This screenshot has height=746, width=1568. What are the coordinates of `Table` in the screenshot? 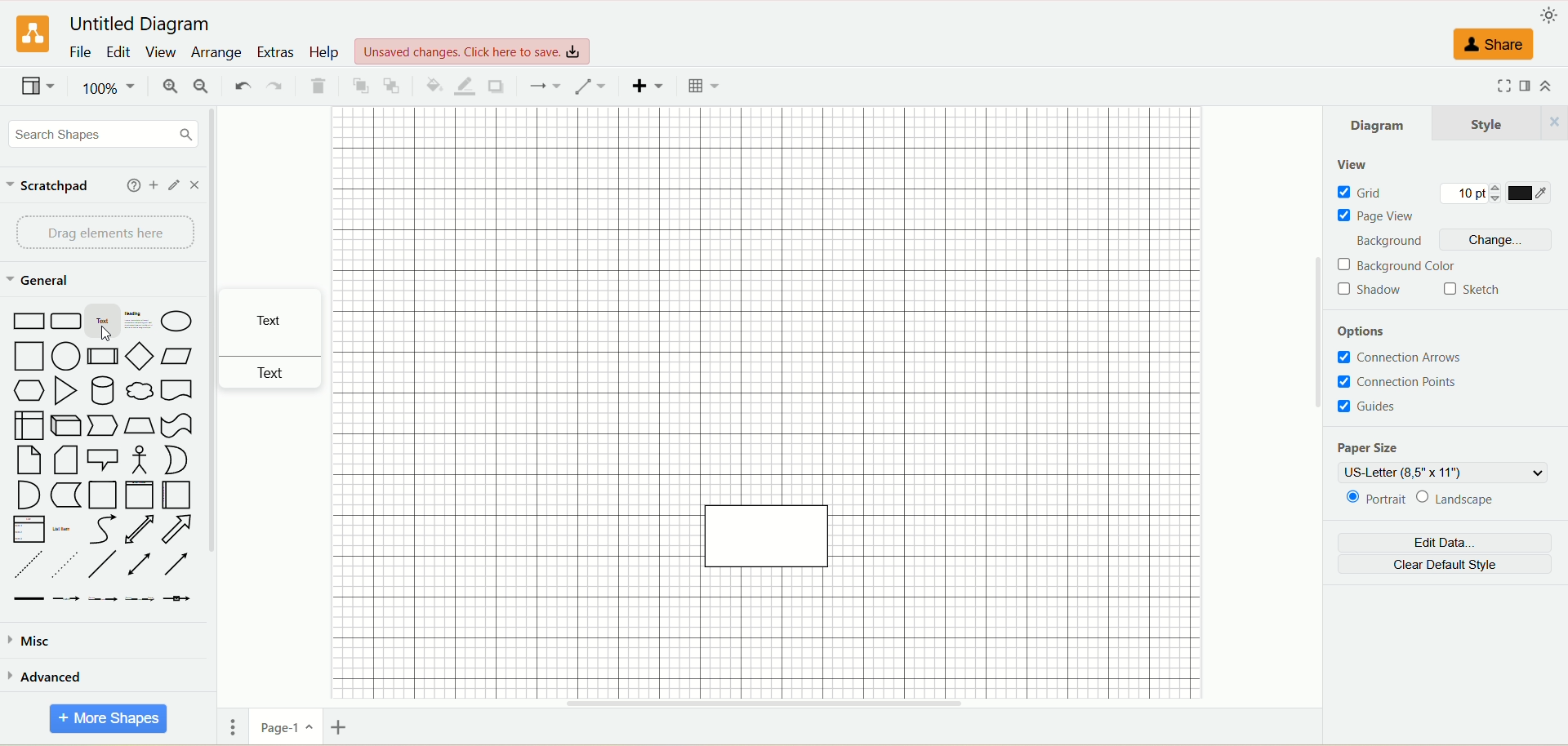 It's located at (704, 88).